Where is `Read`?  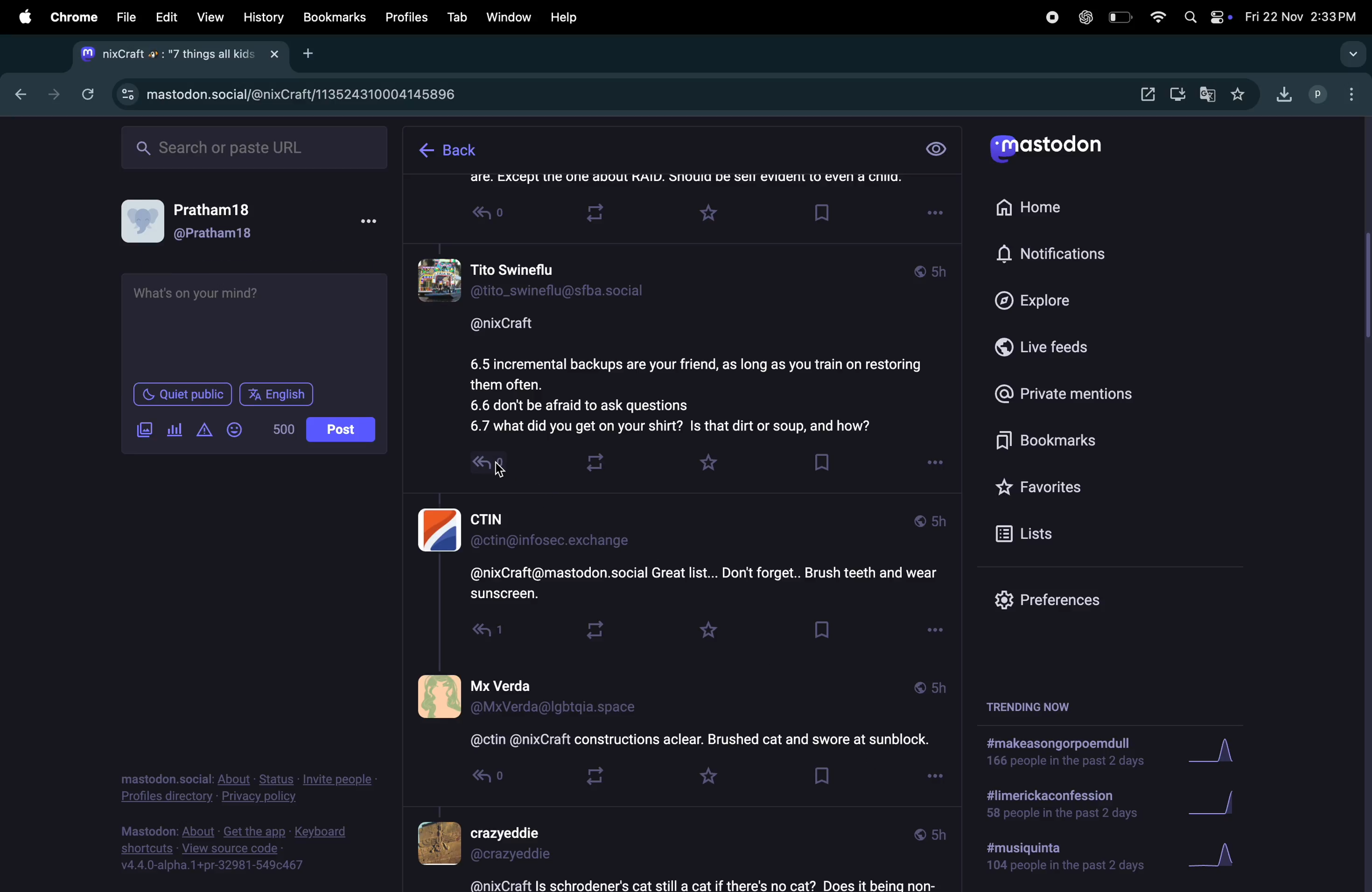 Read is located at coordinates (477, 779).